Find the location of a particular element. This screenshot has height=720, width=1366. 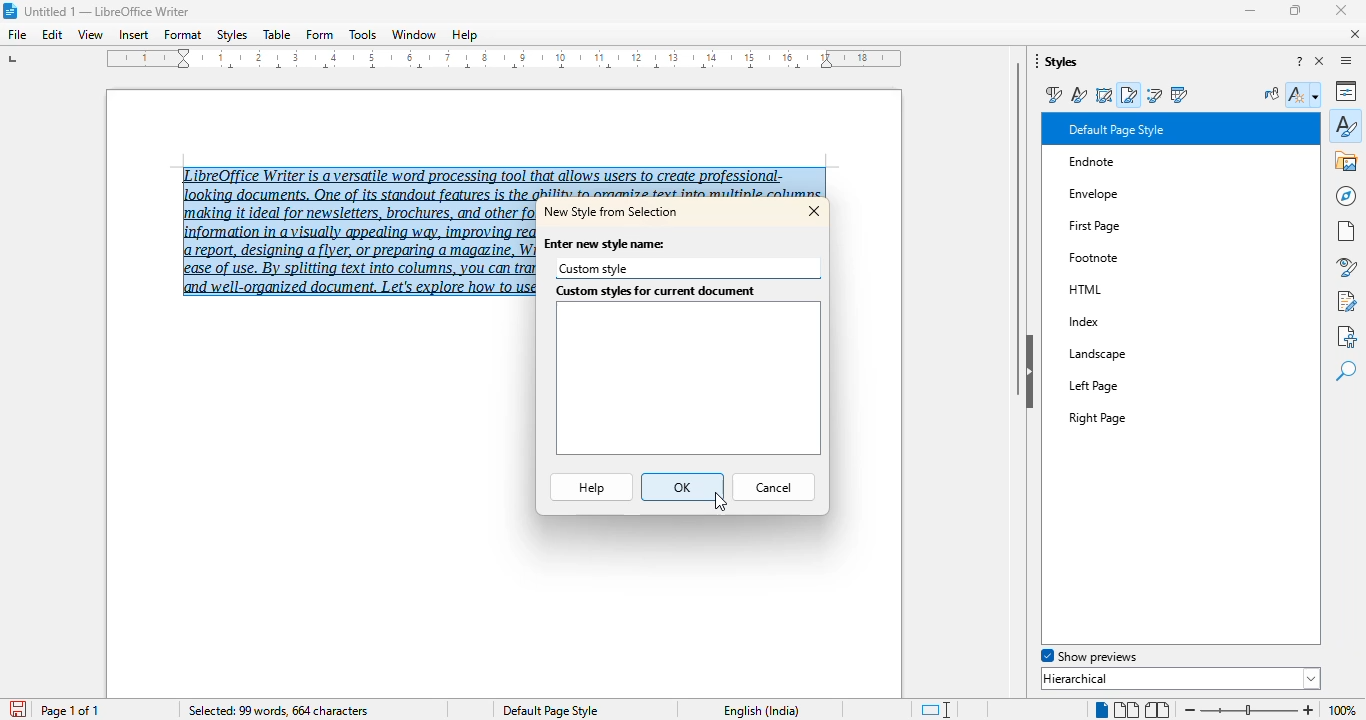

cursor is located at coordinates (1305, 126).